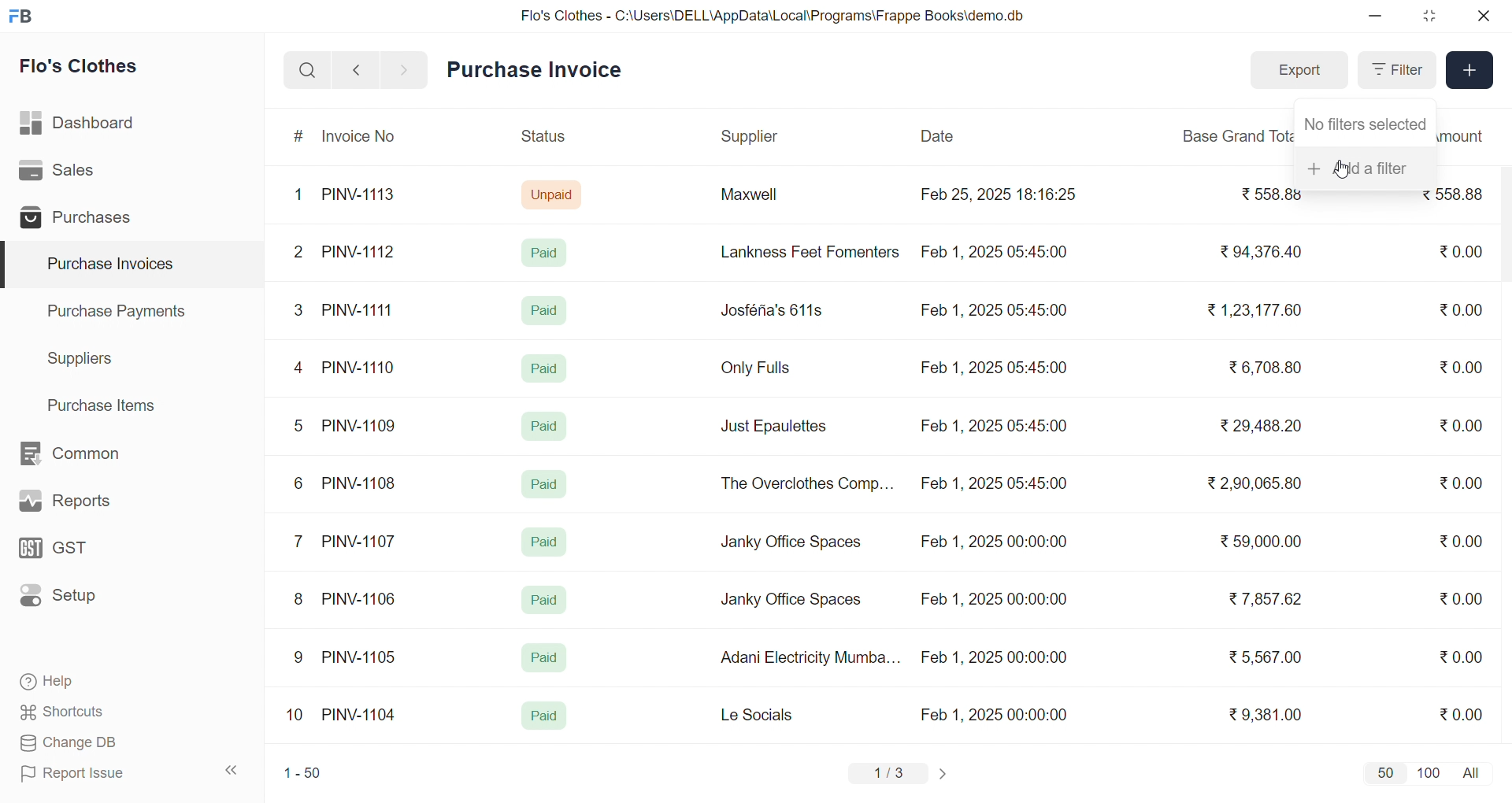 The width and height of the screenshot is (1512, 803). Describe the element at coordinates (298, 716) in the screenshot. I see `10` at that location.